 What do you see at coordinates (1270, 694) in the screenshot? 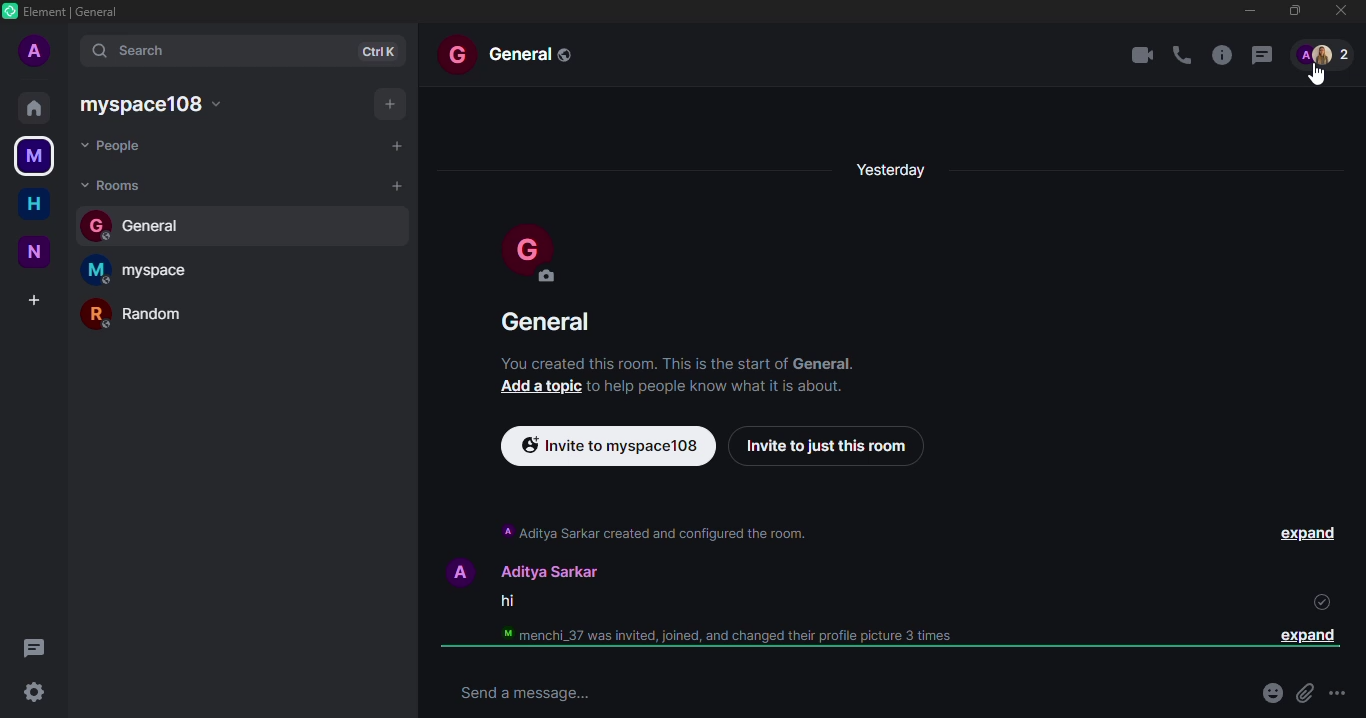
I see `emoji` at bounding box center [1270, 694].